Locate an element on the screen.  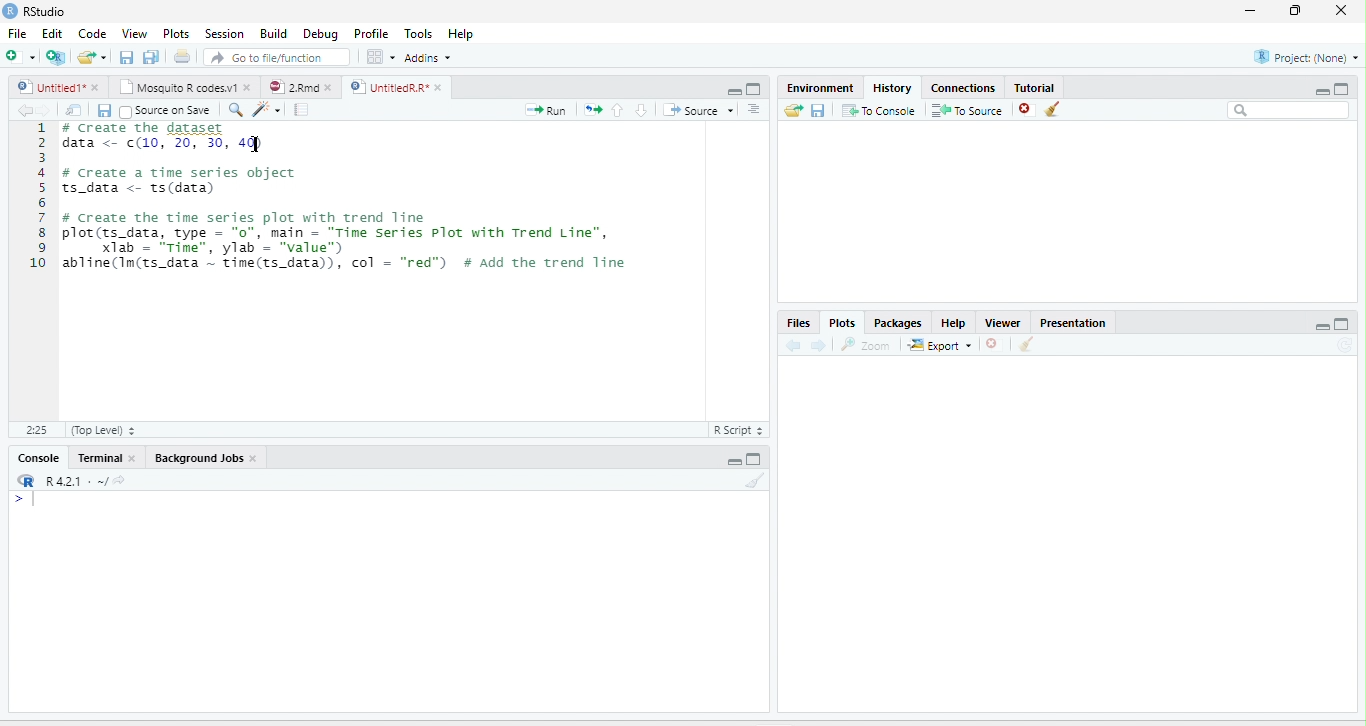
Debug is located at coordinates (320, 34).